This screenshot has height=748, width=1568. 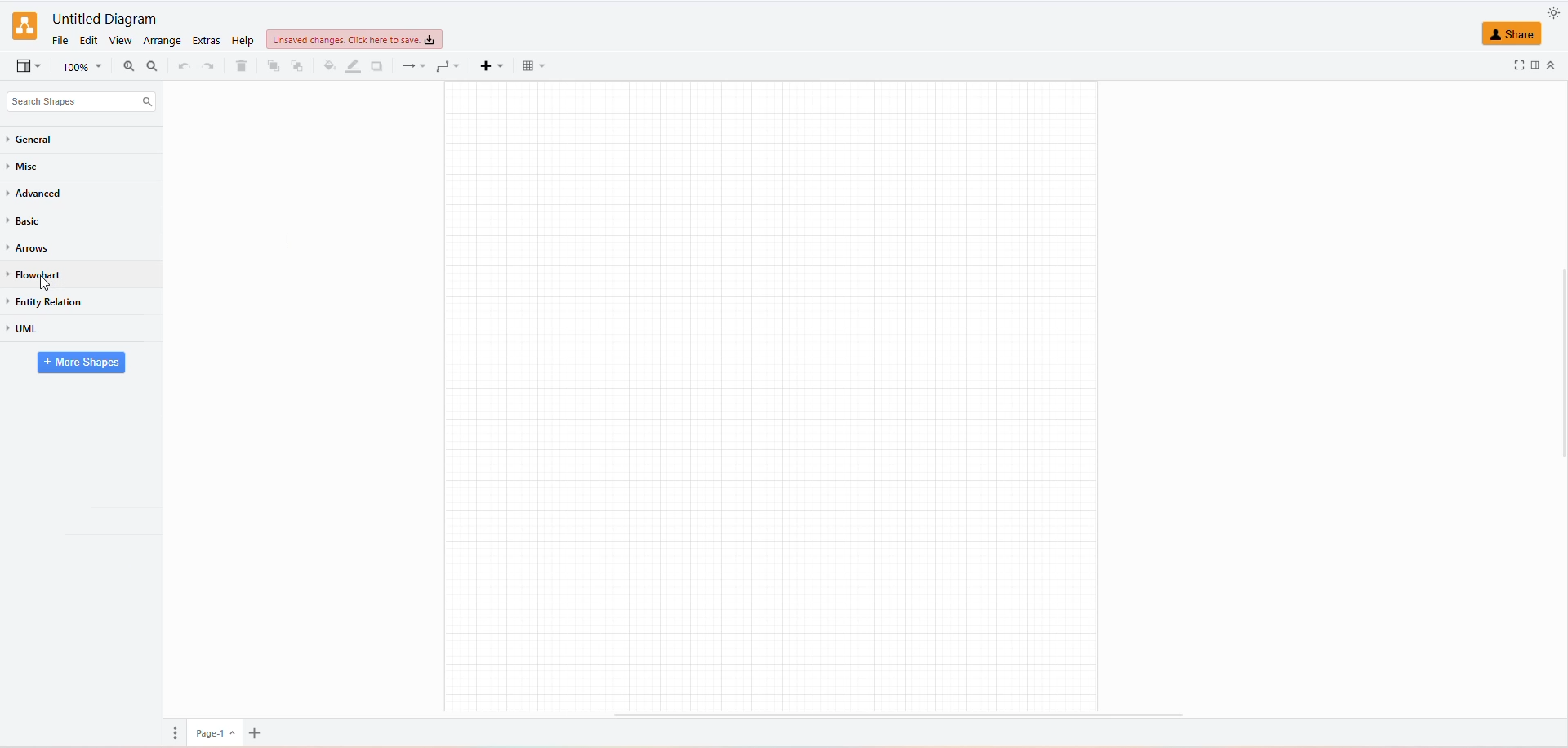 What do you see at coordinates (382, 67) in the screenshot?
I see `SHADOW` at bounding box center [382, 67].